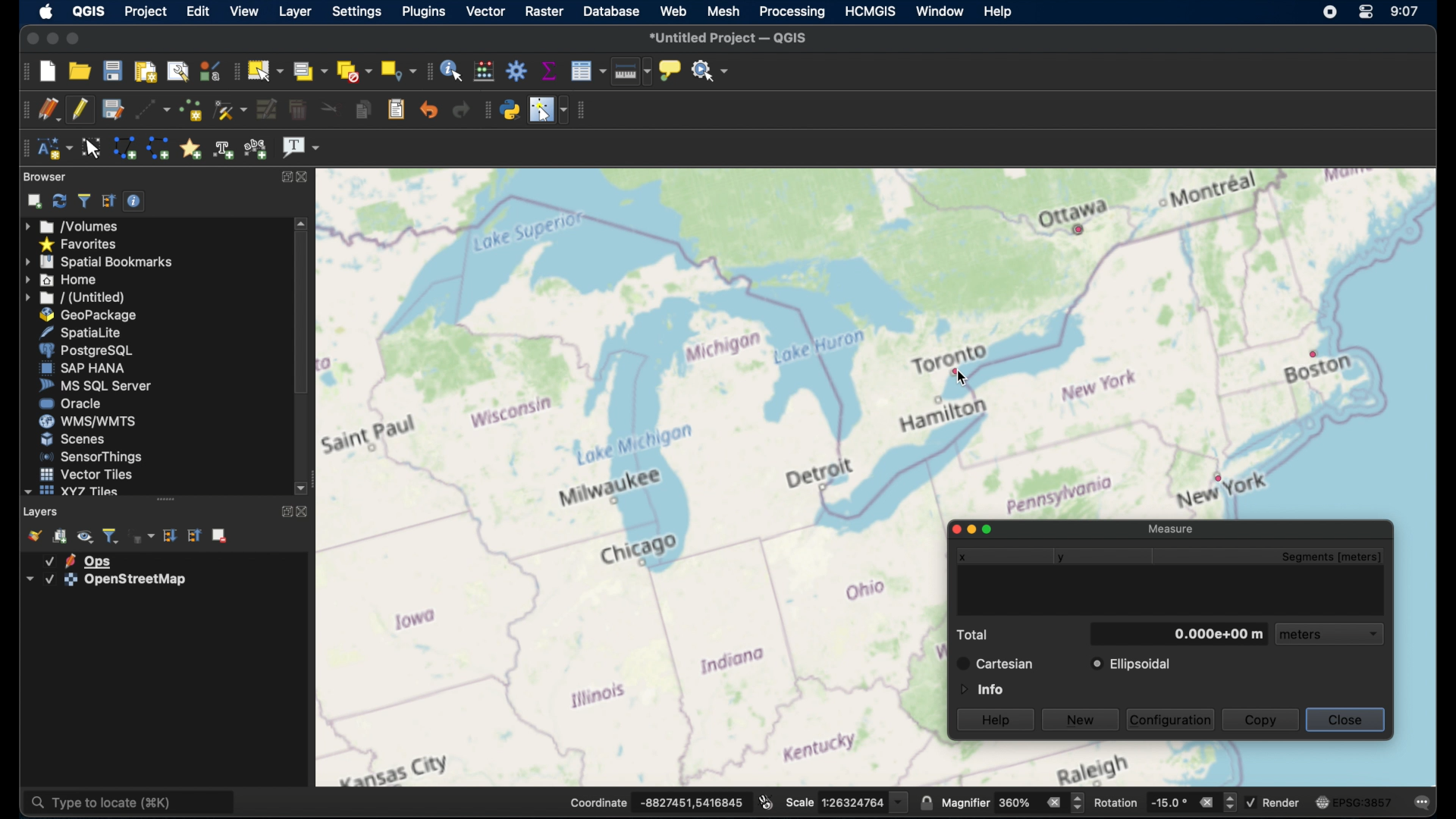 The height and width of the screenshot is (819, 1456). What do you see at coordinates (1405, 11) in the screenshot?
I see `time` at bounding box center [1405, 11].